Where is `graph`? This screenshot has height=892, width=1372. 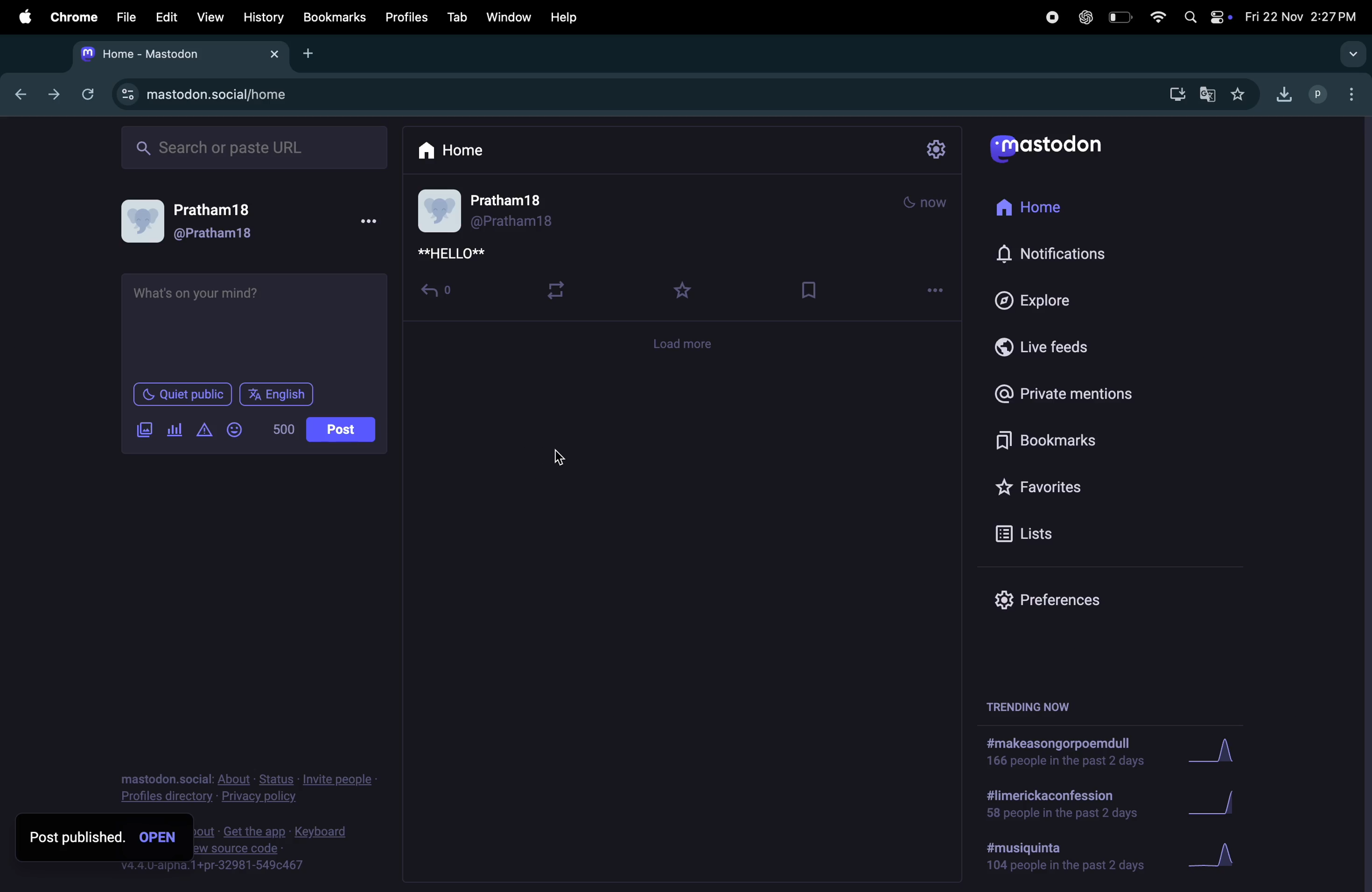 graph is located at coordinates (1226, 800).